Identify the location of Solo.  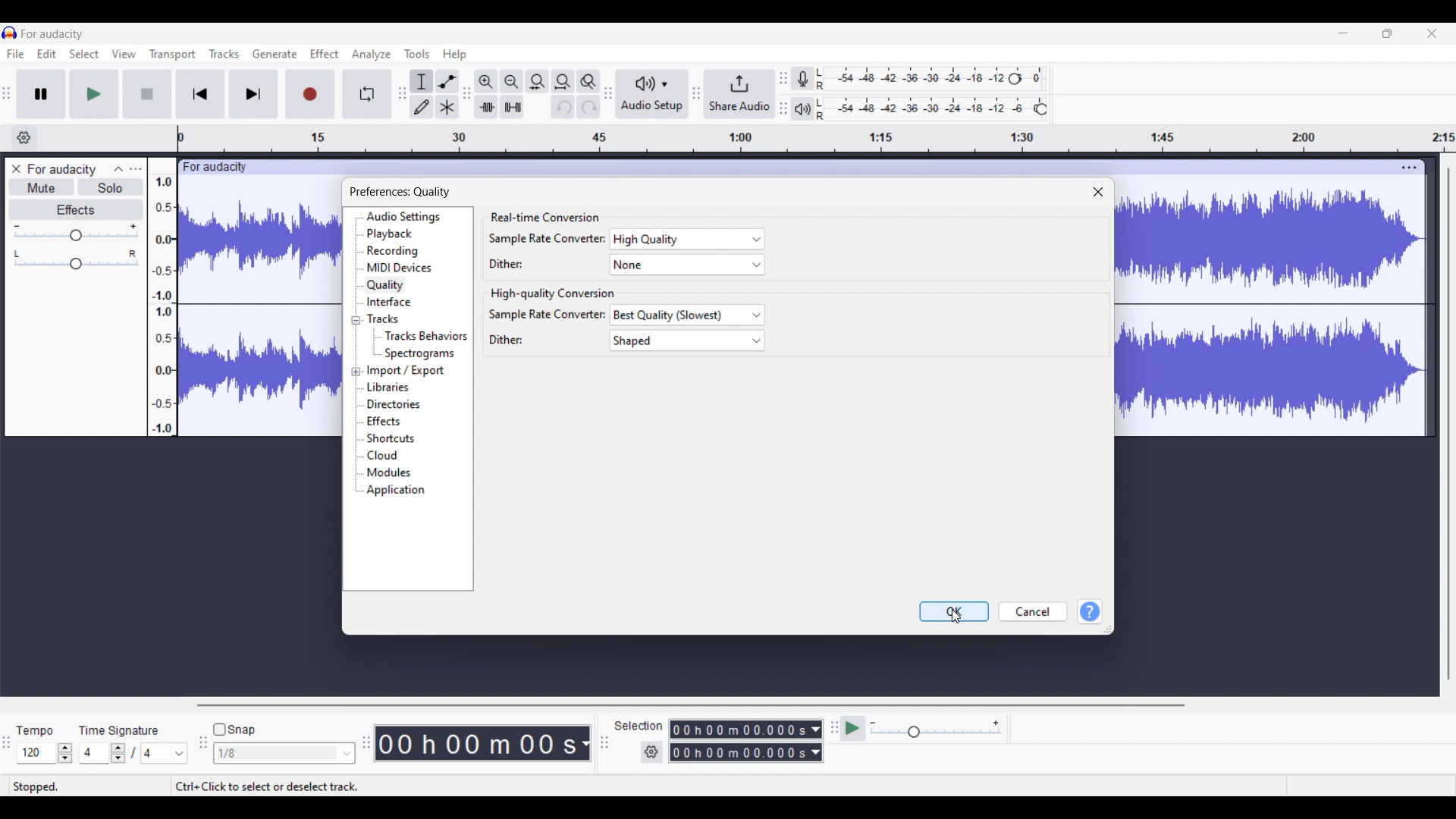
(111, 187).